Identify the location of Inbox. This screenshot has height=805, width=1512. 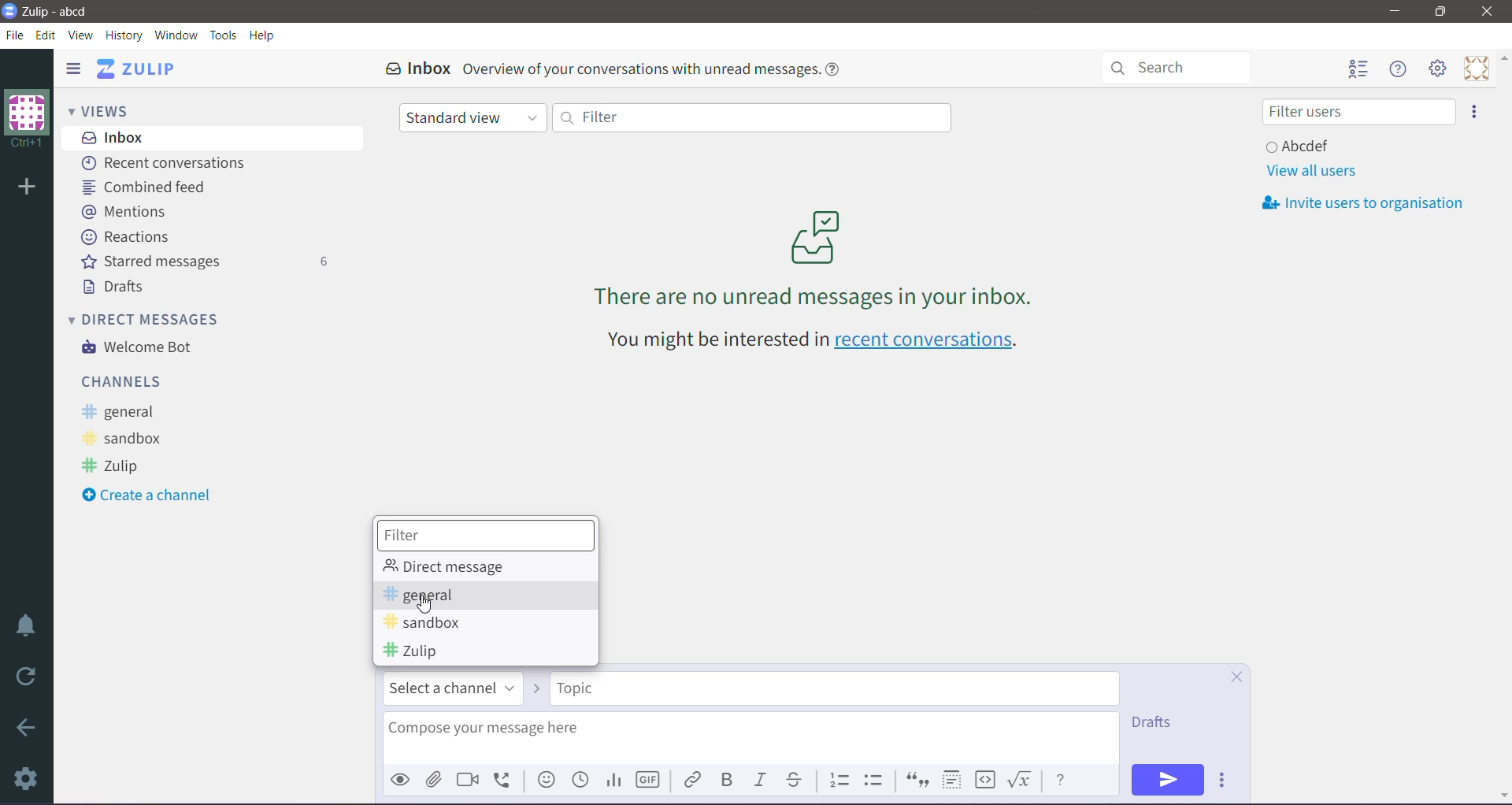
(213, 137).